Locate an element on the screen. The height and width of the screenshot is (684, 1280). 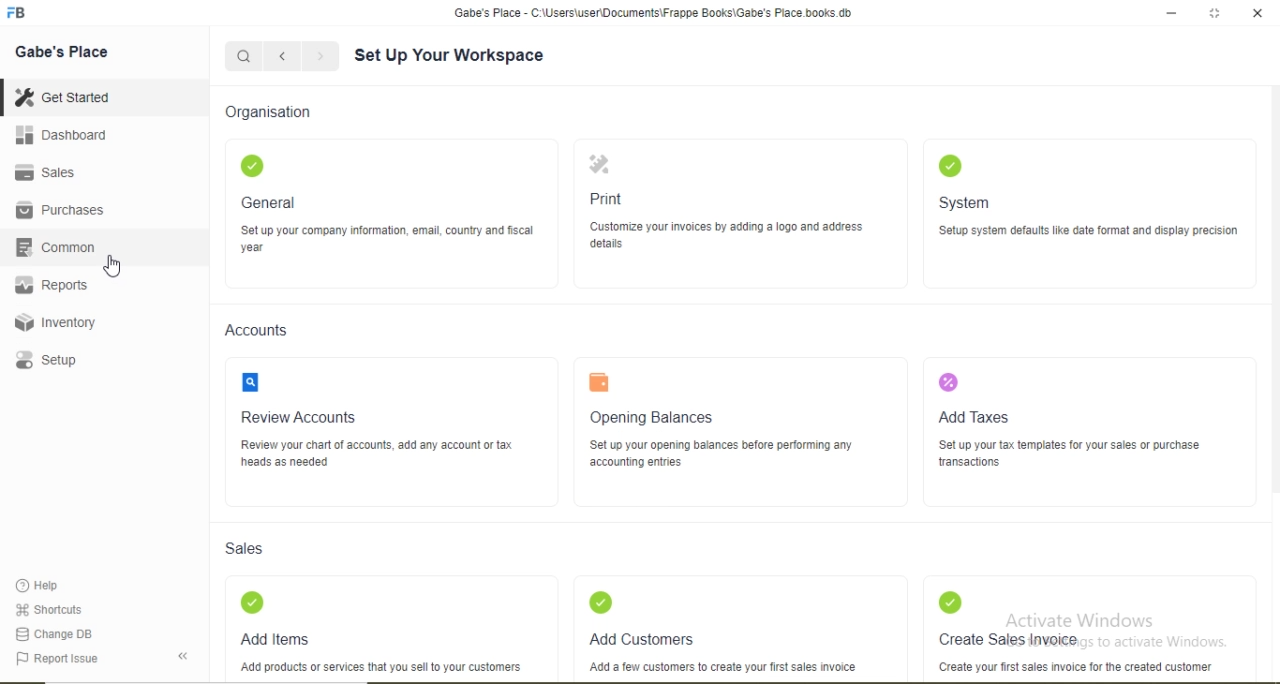
Logo is located at coordinates (948, 382).